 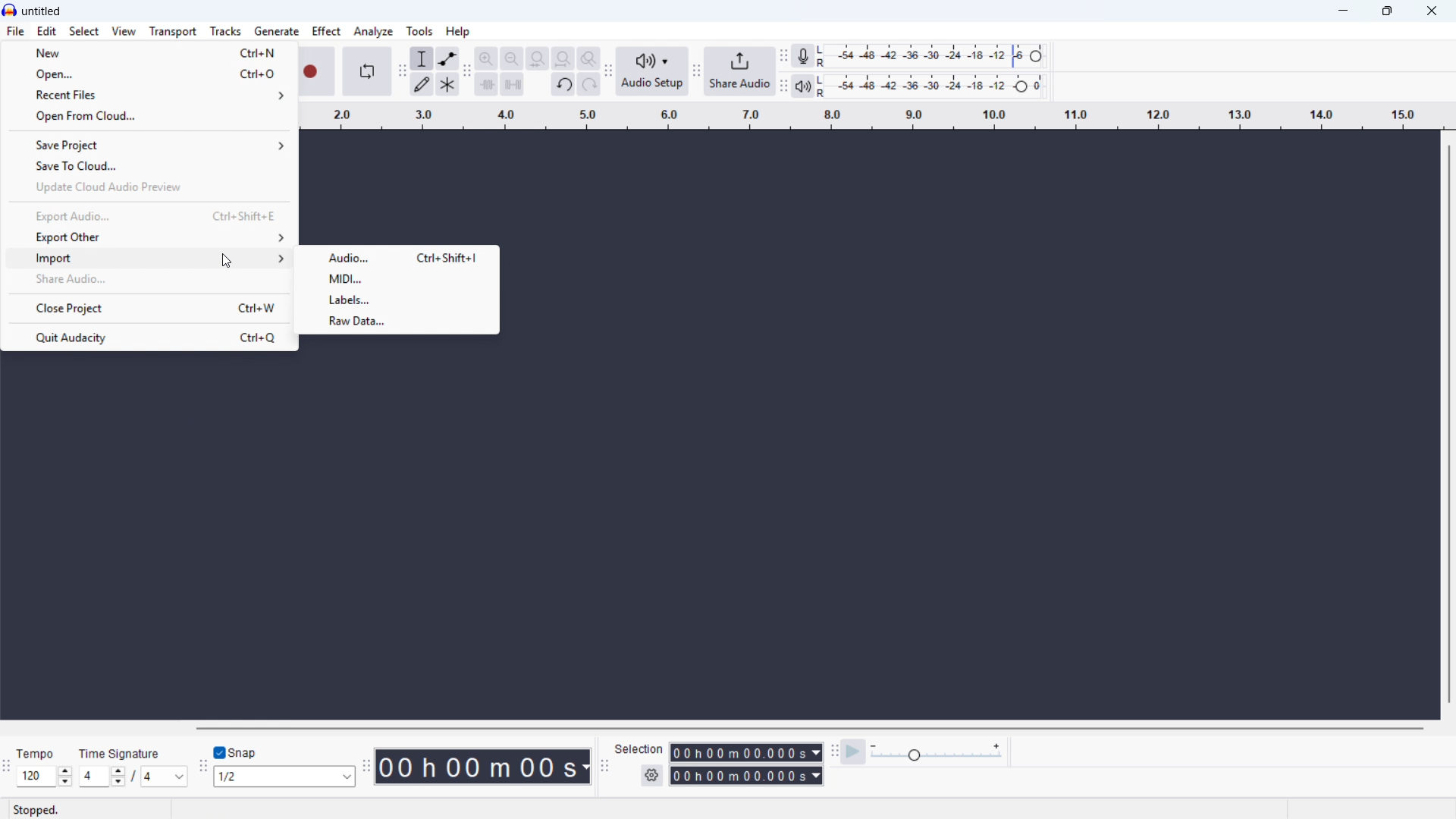 I want to click on Timestamp , so click(x=485, y=767).